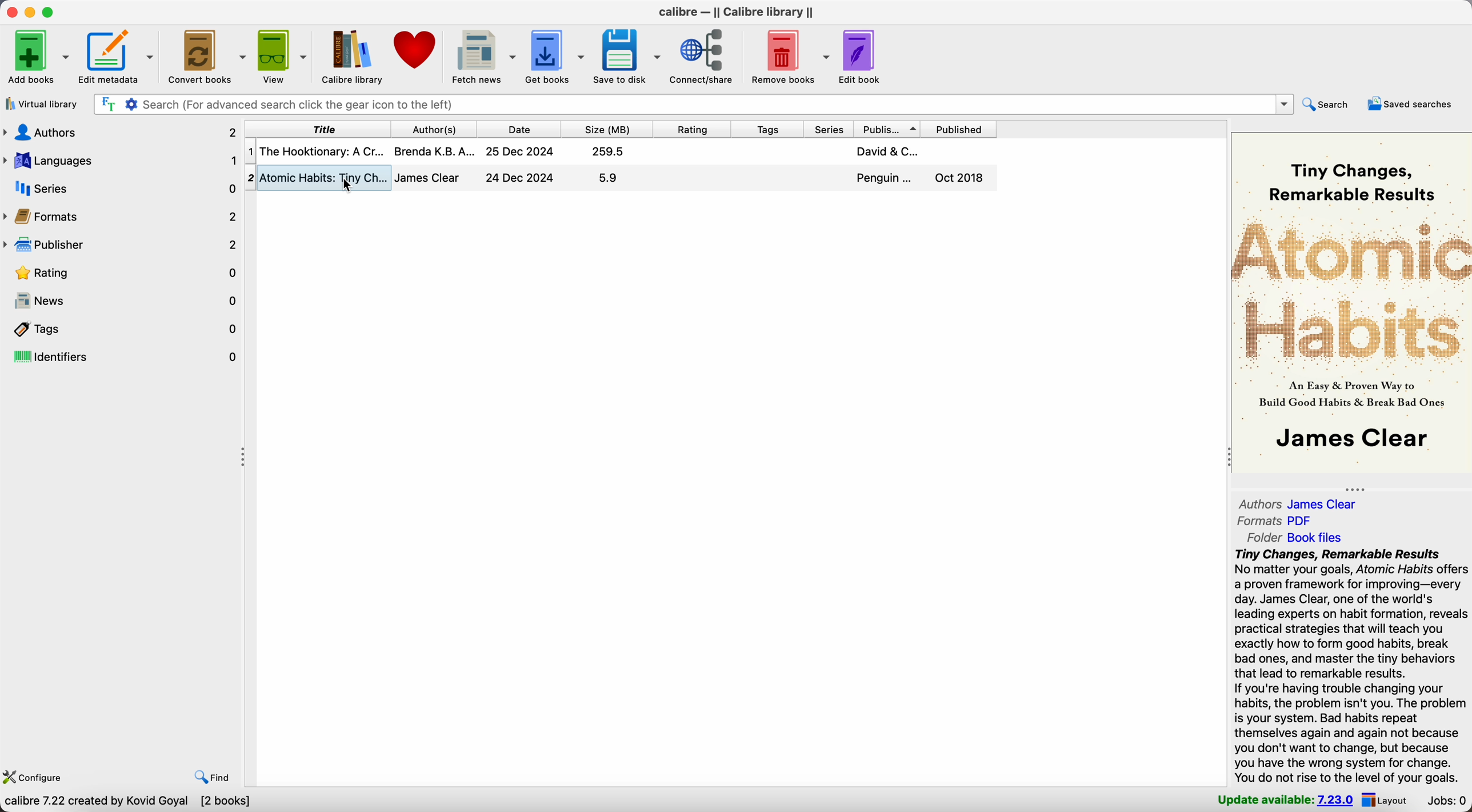 Image resolution: width=1472 pixels, height=812 pixels. Describe the element at coordinates (1290, 538) in the screenshot. I see `folder Book Files` at that location.